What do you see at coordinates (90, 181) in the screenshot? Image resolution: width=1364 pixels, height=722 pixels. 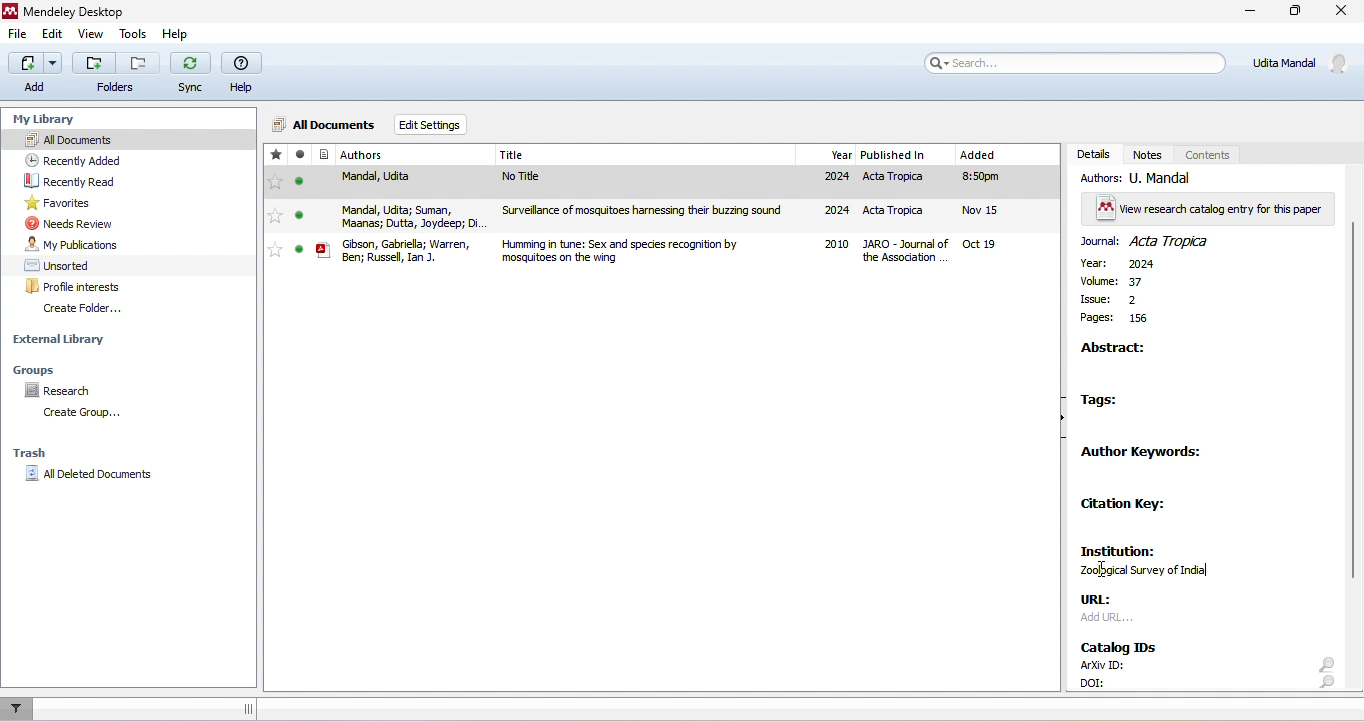 I see `recently read` at bounding box center [90, 181].